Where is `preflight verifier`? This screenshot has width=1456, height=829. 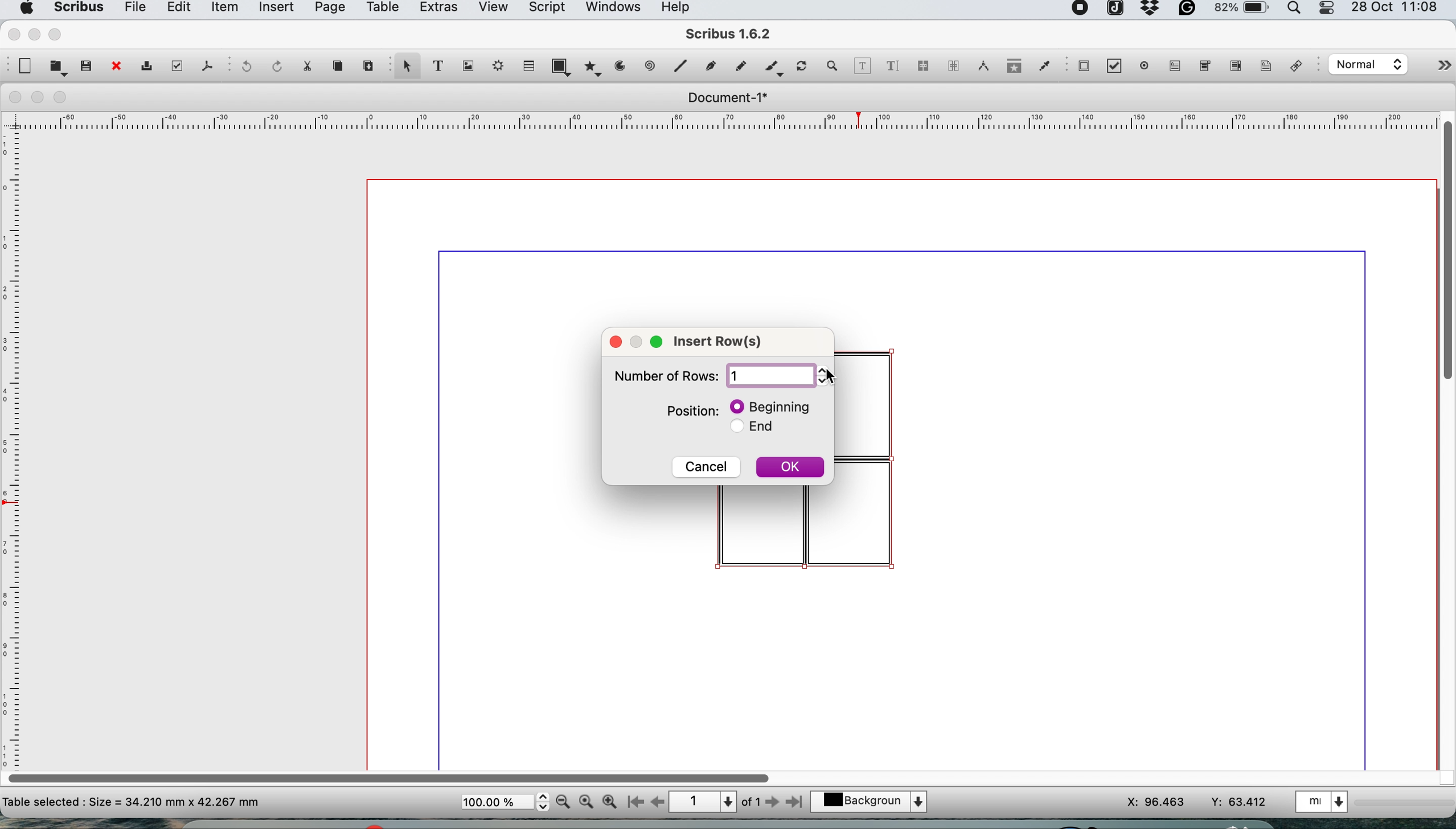 preflight verifier is located at coordinates (174, 65).